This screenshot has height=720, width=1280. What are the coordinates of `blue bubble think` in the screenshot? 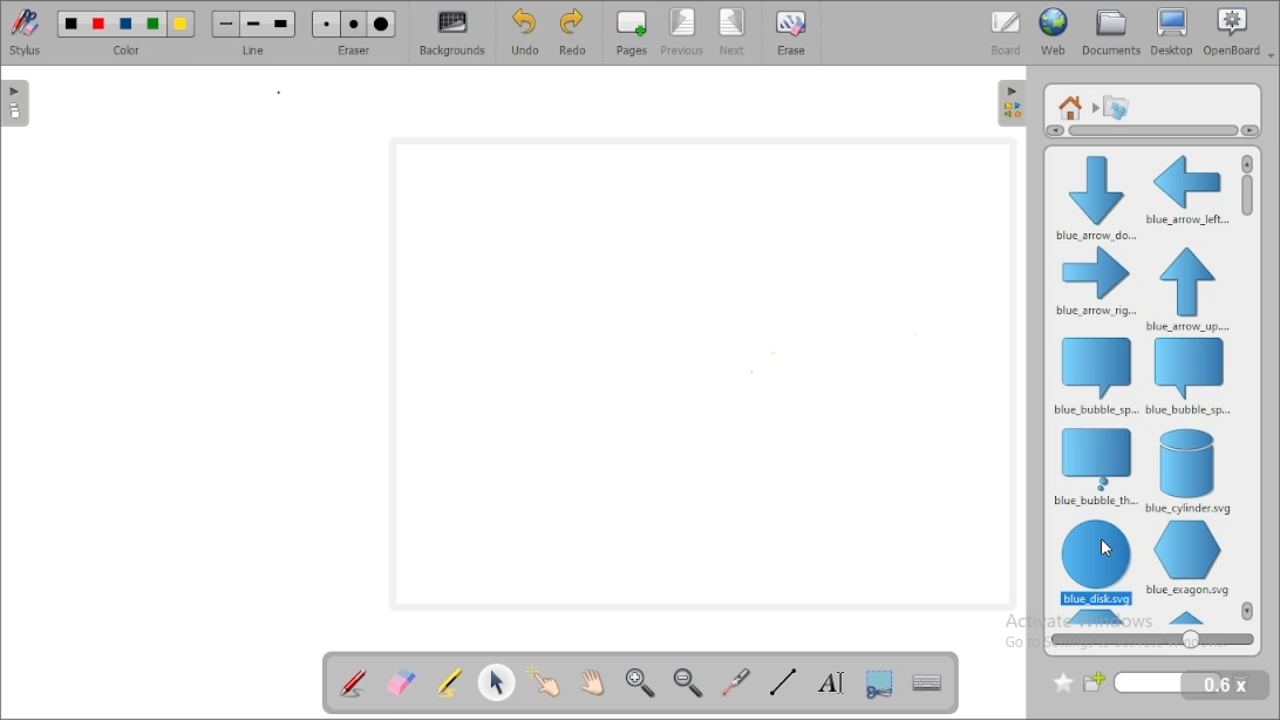 It's located at (1094, 467).